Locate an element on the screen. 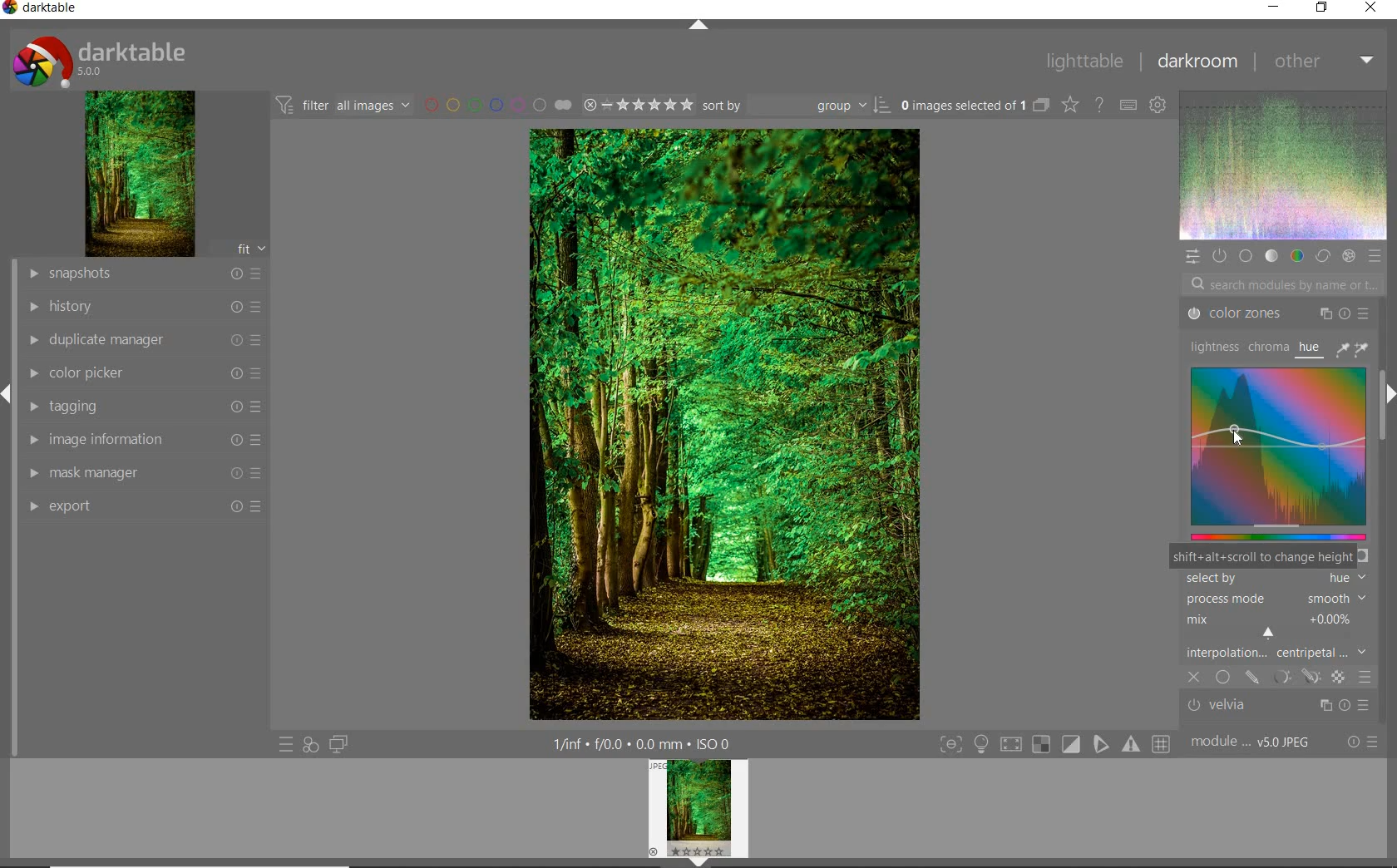 The height and width of the screenshot is (868, 1397). FILTER IMAGES is located at coordinates (343, 105).